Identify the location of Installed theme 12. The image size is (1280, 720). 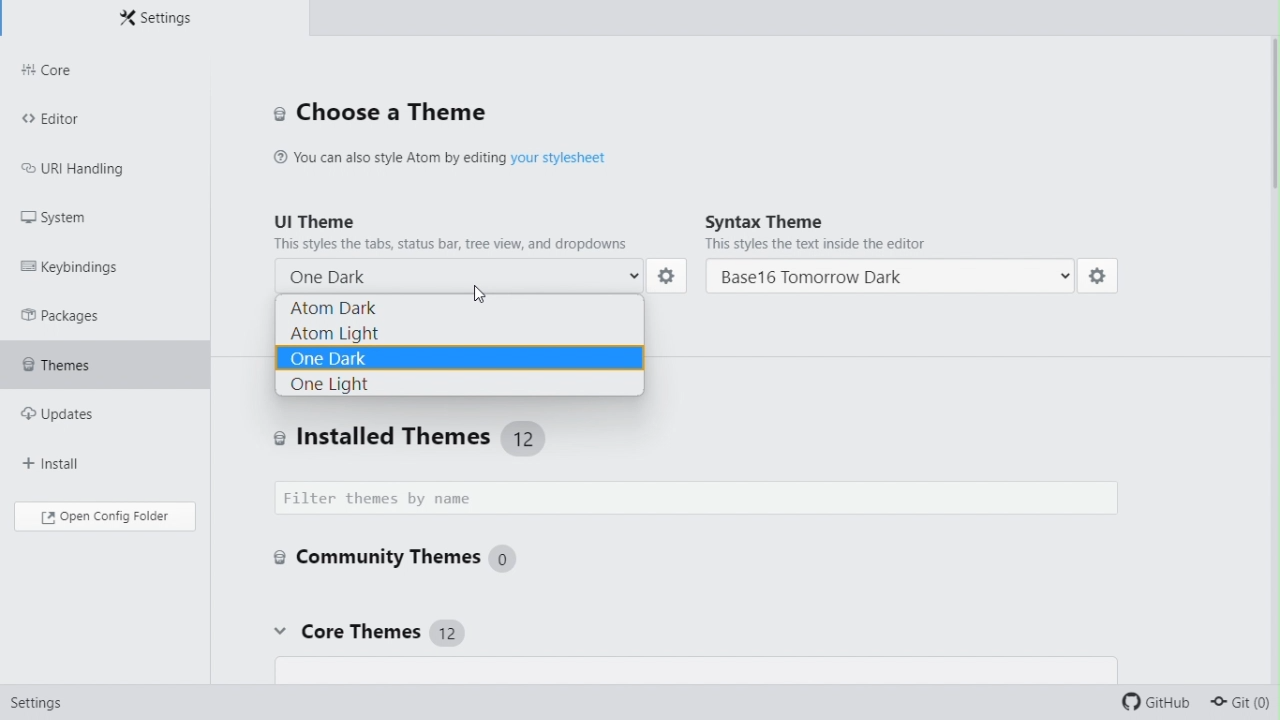
(422, 437).